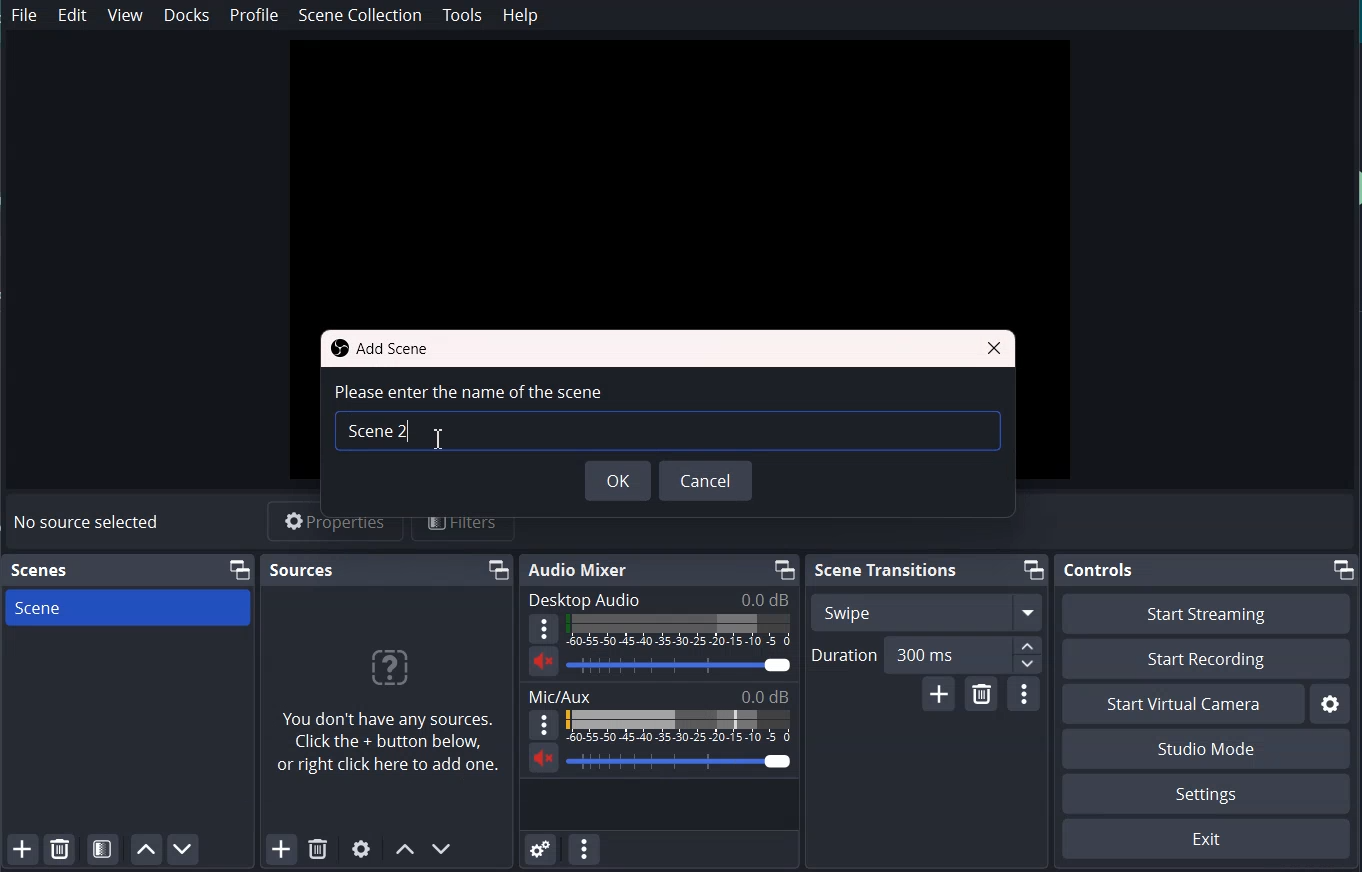 This screenshot has width=1362, height=872. What do you see at coordinates (681, 726) in the screenshot?
I see `Volume indicator` at bounding box center [681, 726].